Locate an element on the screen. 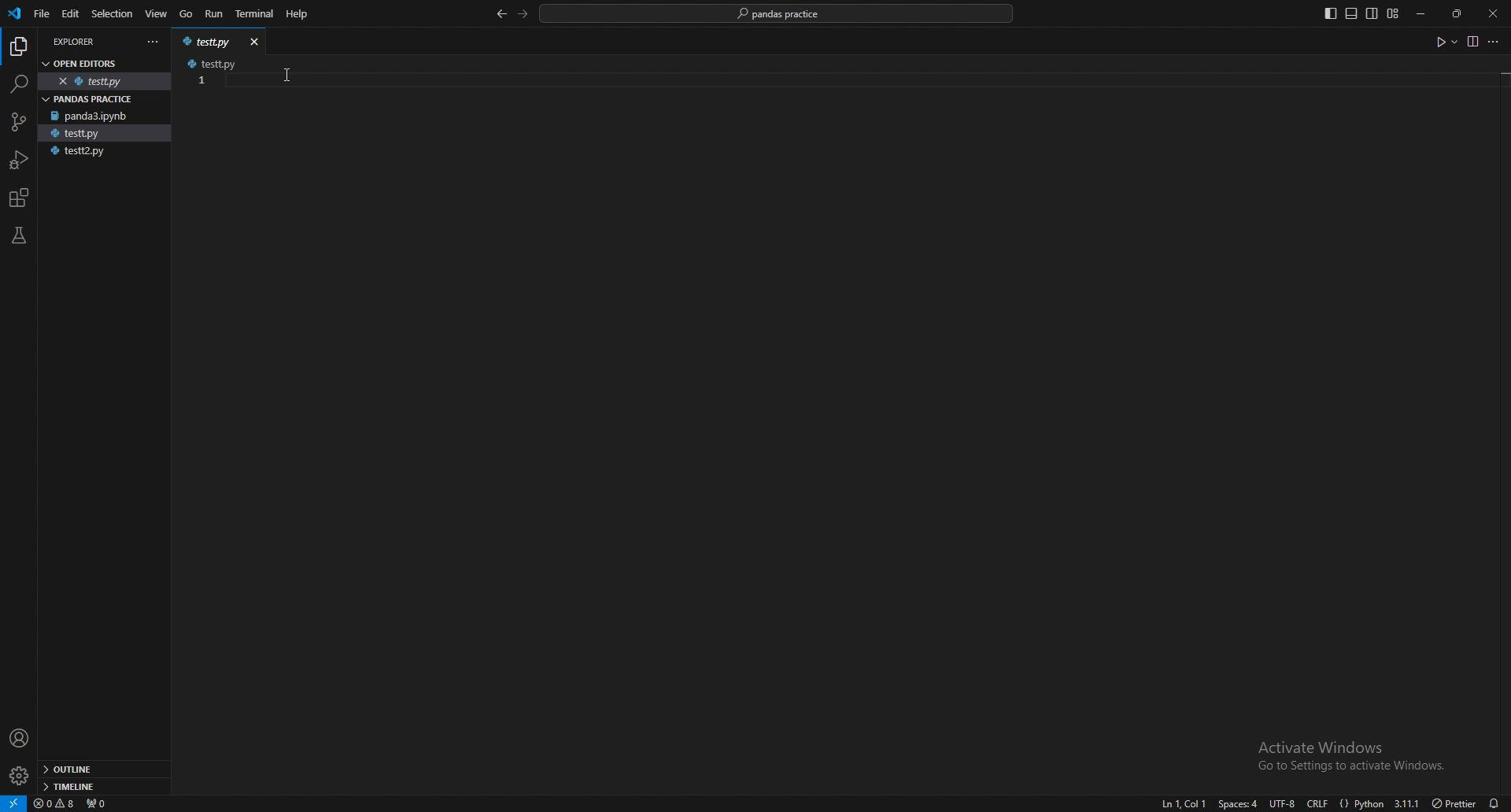 The width and height of the screenshot is (1511, 812). pandas practice is located at coordinates (95, 97).